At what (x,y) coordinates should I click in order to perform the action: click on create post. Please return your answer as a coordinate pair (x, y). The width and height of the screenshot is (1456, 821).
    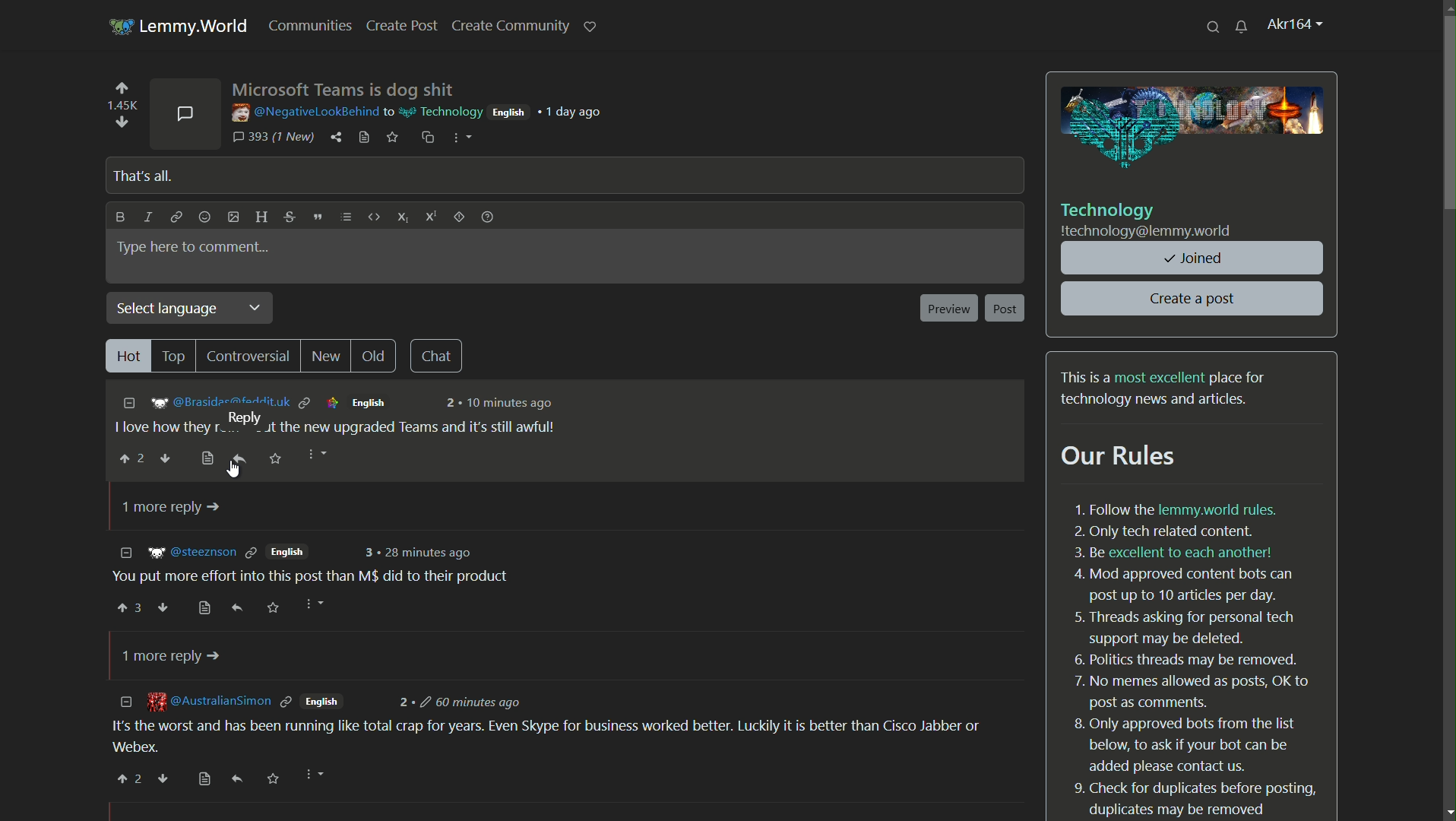
    Looking at the image, I should click on (404, 26).